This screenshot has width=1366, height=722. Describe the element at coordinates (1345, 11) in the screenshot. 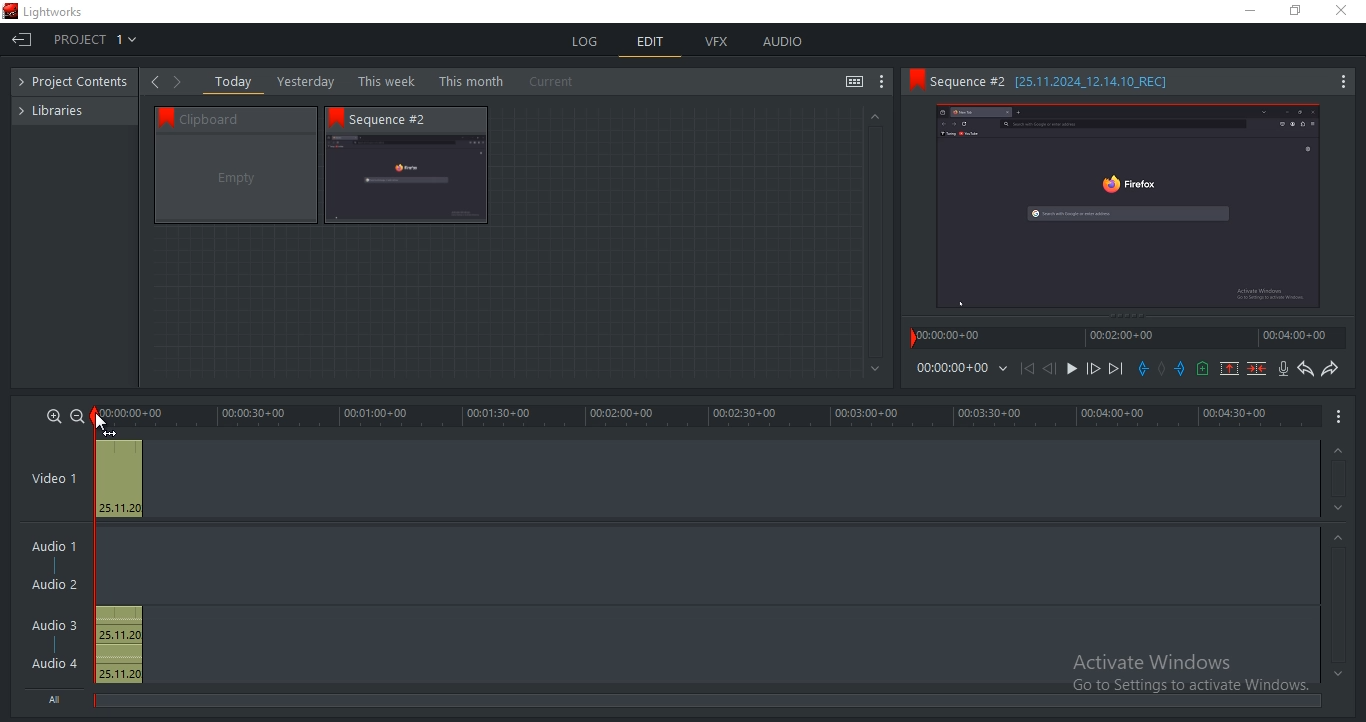

I see `Close` at that location.